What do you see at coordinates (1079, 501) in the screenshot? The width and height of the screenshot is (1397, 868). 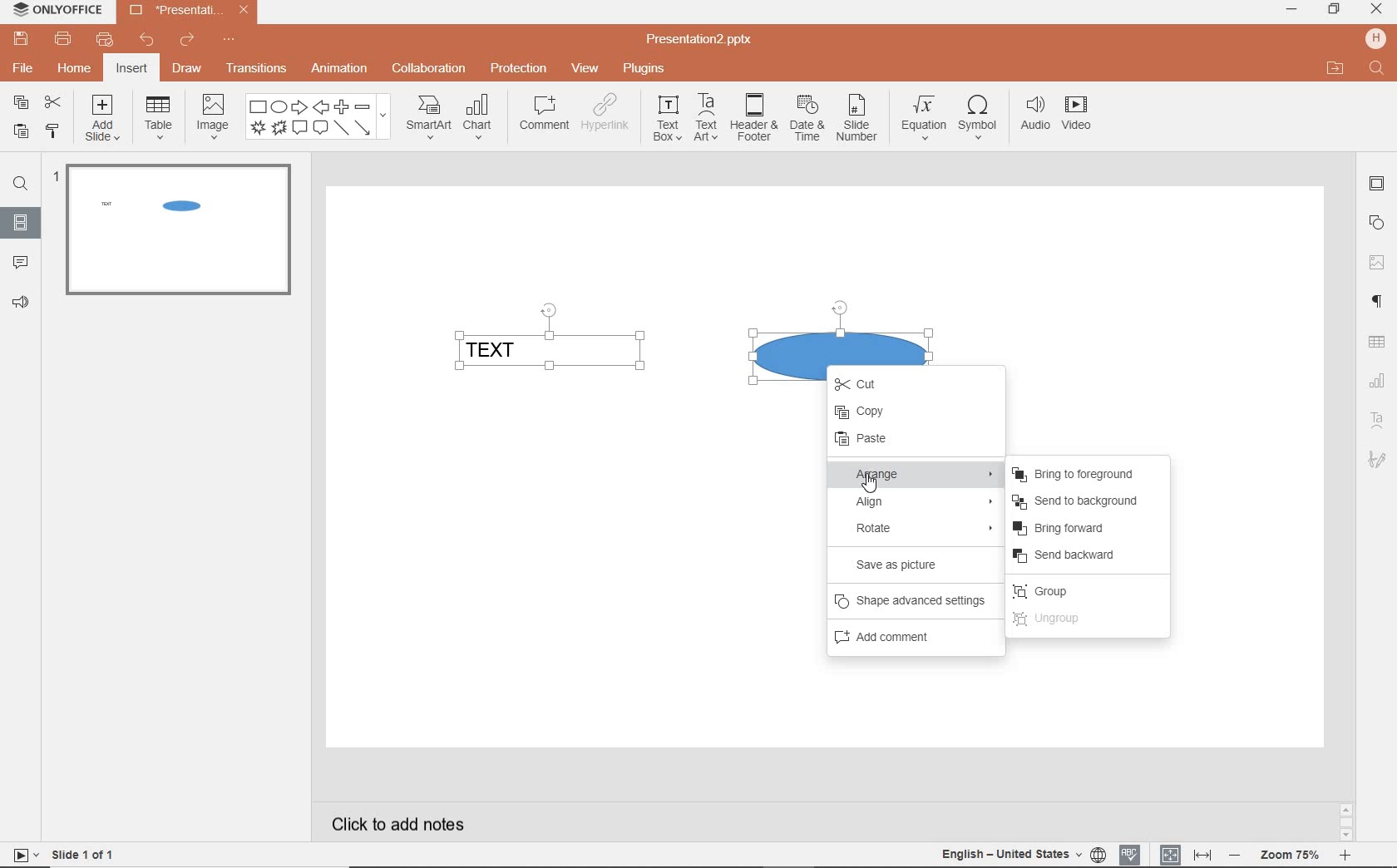 I see `SEND TO BACKGROUND` at bounding box center [1079, 501].